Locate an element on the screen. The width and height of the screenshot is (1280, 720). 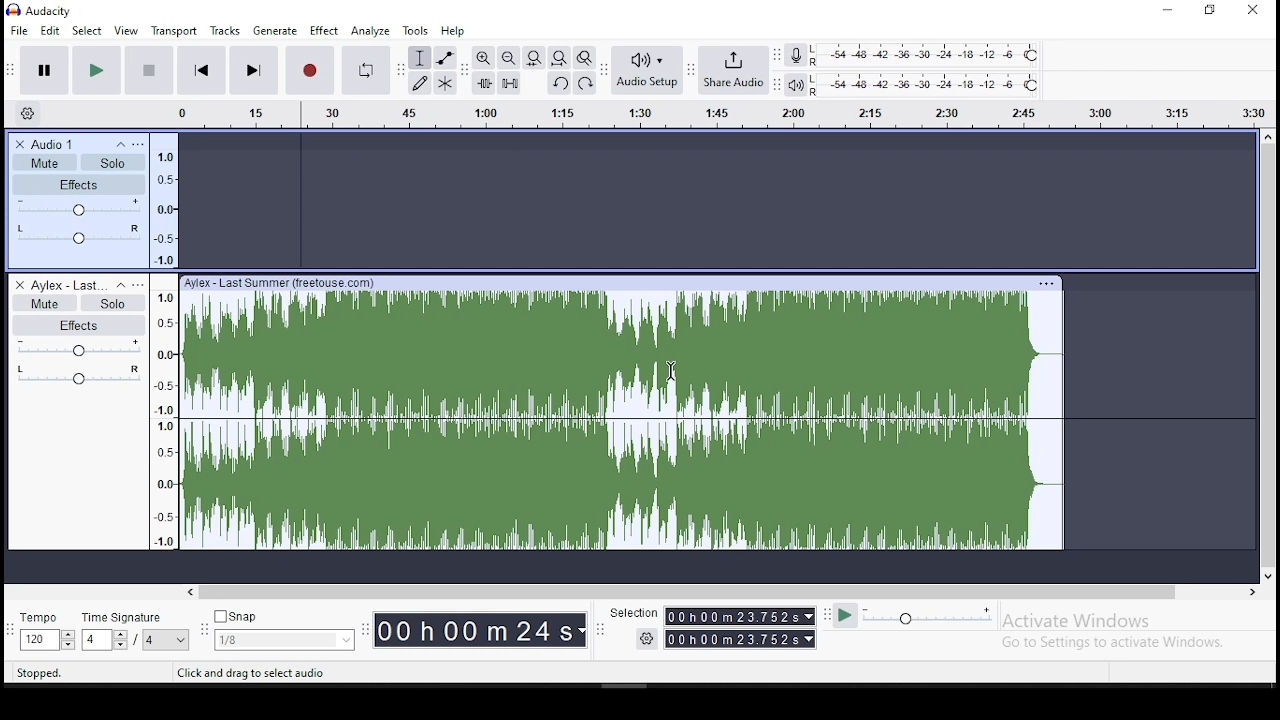
snap is located at coordinates (286, 631).